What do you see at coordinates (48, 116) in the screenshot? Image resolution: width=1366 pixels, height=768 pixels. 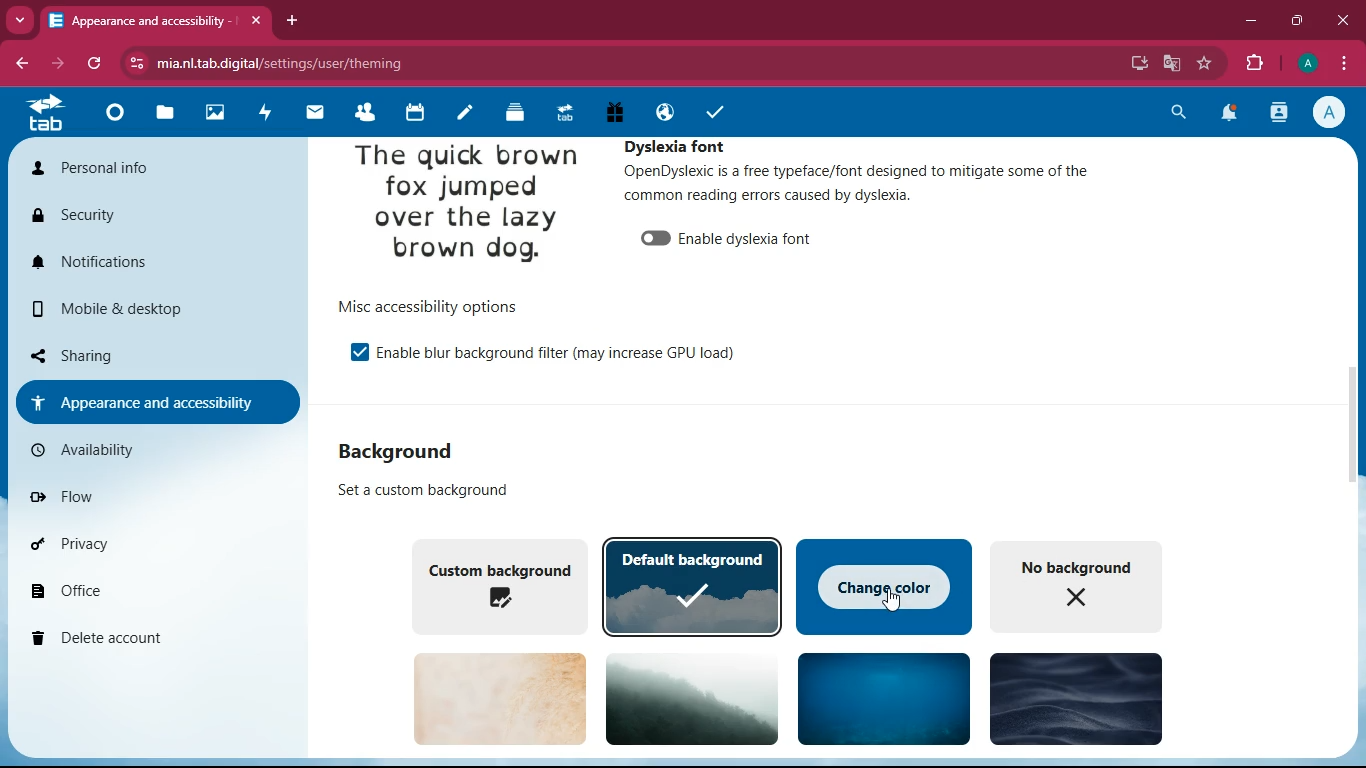 I see `tab` at bounding box center [48, 116].